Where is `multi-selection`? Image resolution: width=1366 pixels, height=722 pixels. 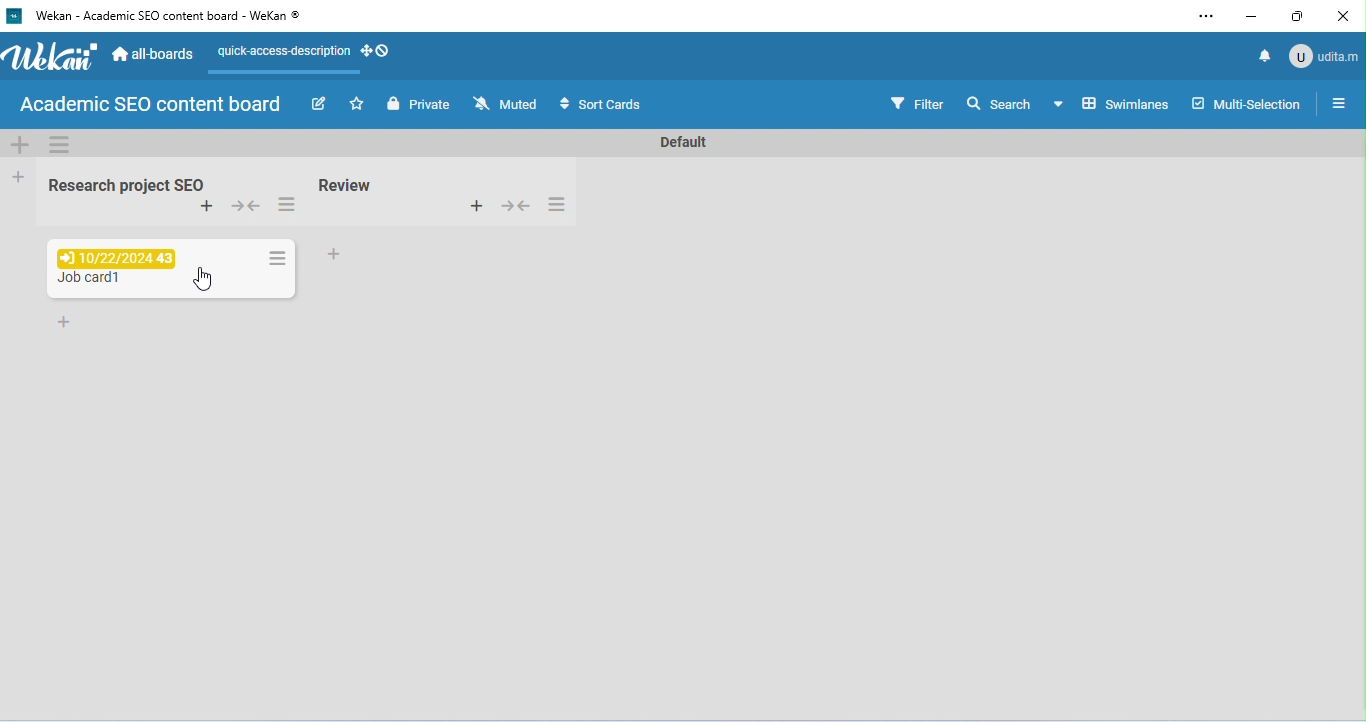 multi-selection is located at coordinates (1245, 103).